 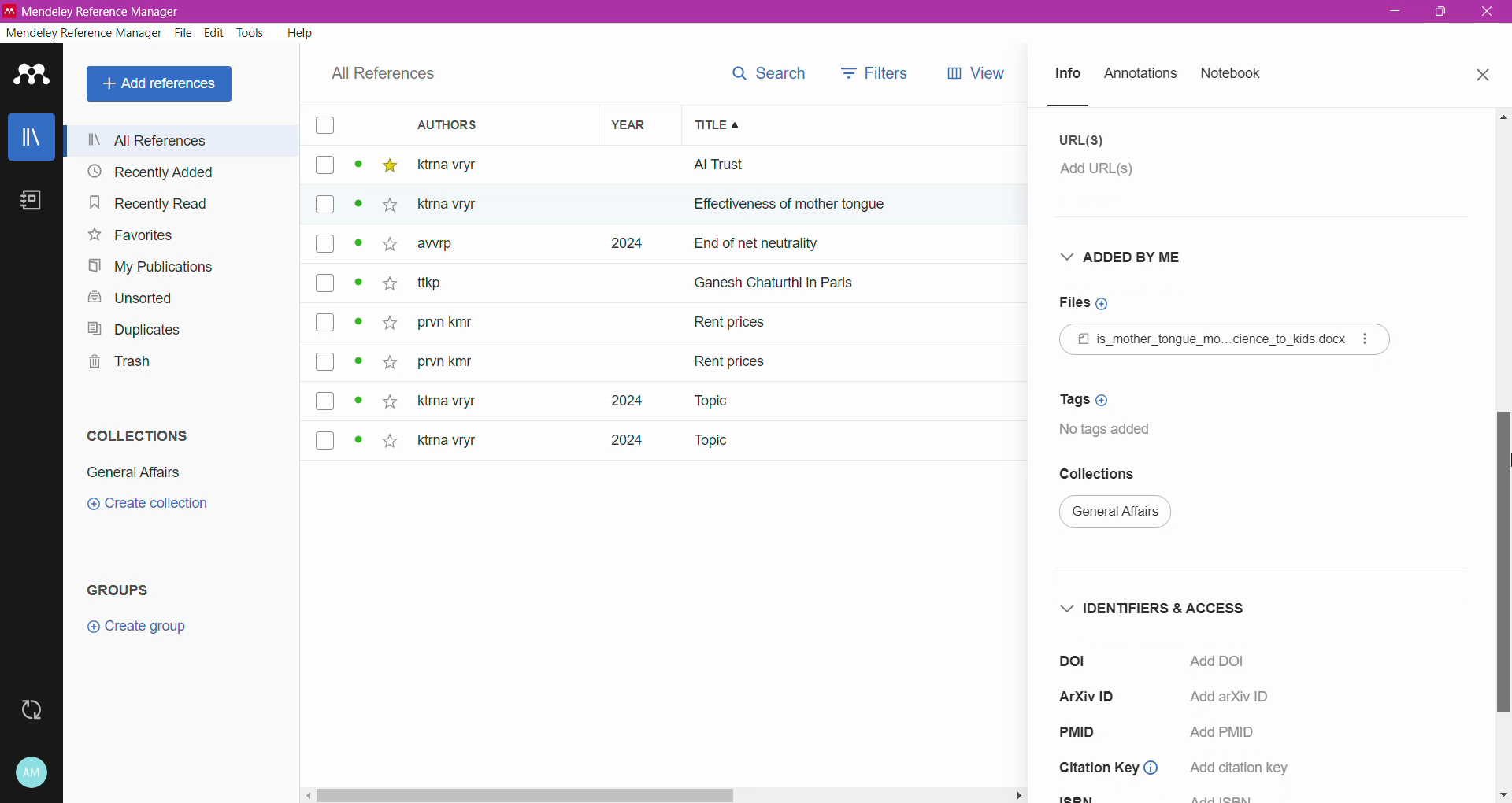 I want to click on dot , so click(x=354, y=442).